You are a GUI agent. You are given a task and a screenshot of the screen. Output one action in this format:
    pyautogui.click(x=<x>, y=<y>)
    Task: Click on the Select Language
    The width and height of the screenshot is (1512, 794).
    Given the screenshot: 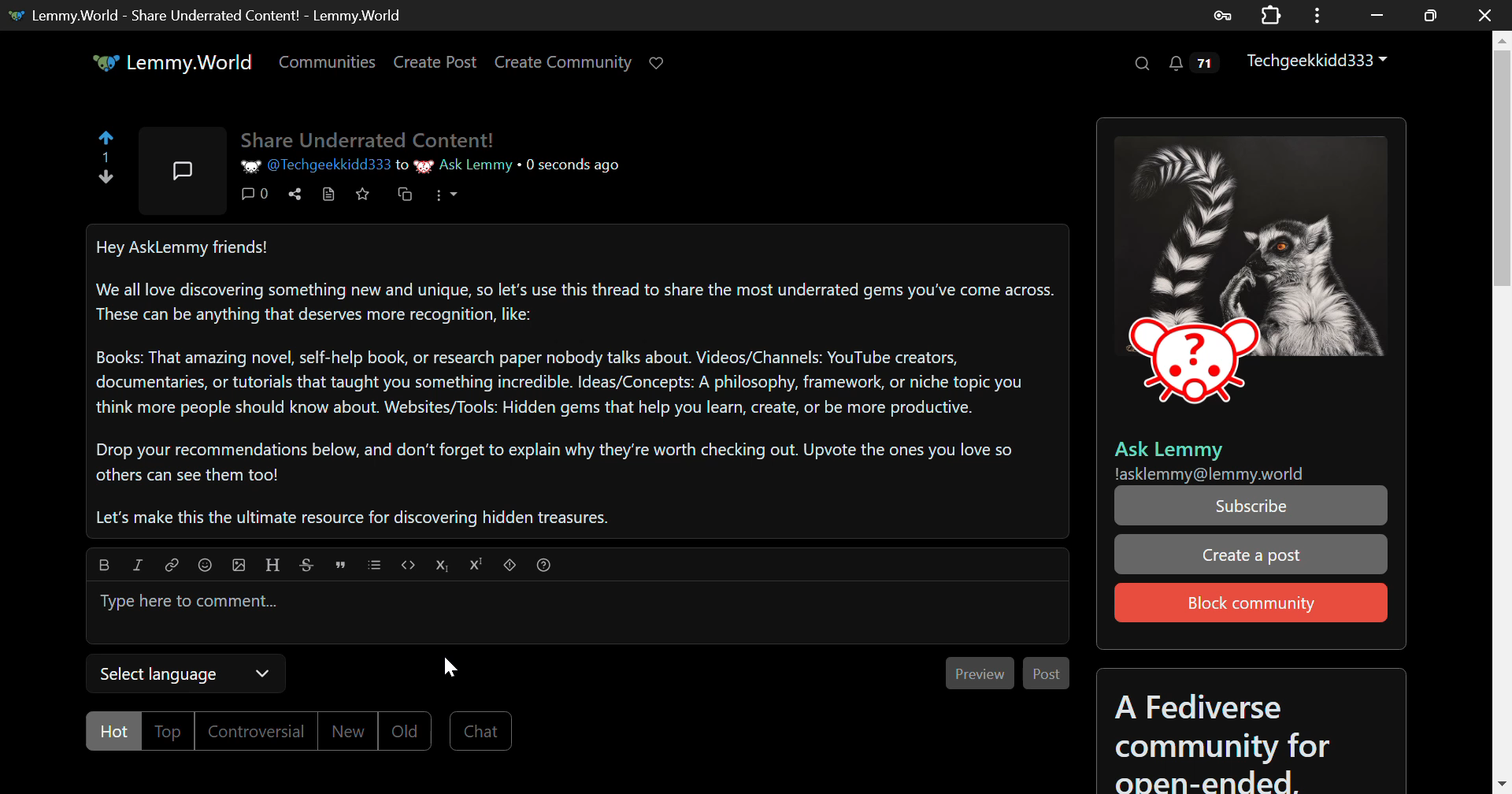 What is the action you would take?
    pyautogui.click(x=184, y=673)
    